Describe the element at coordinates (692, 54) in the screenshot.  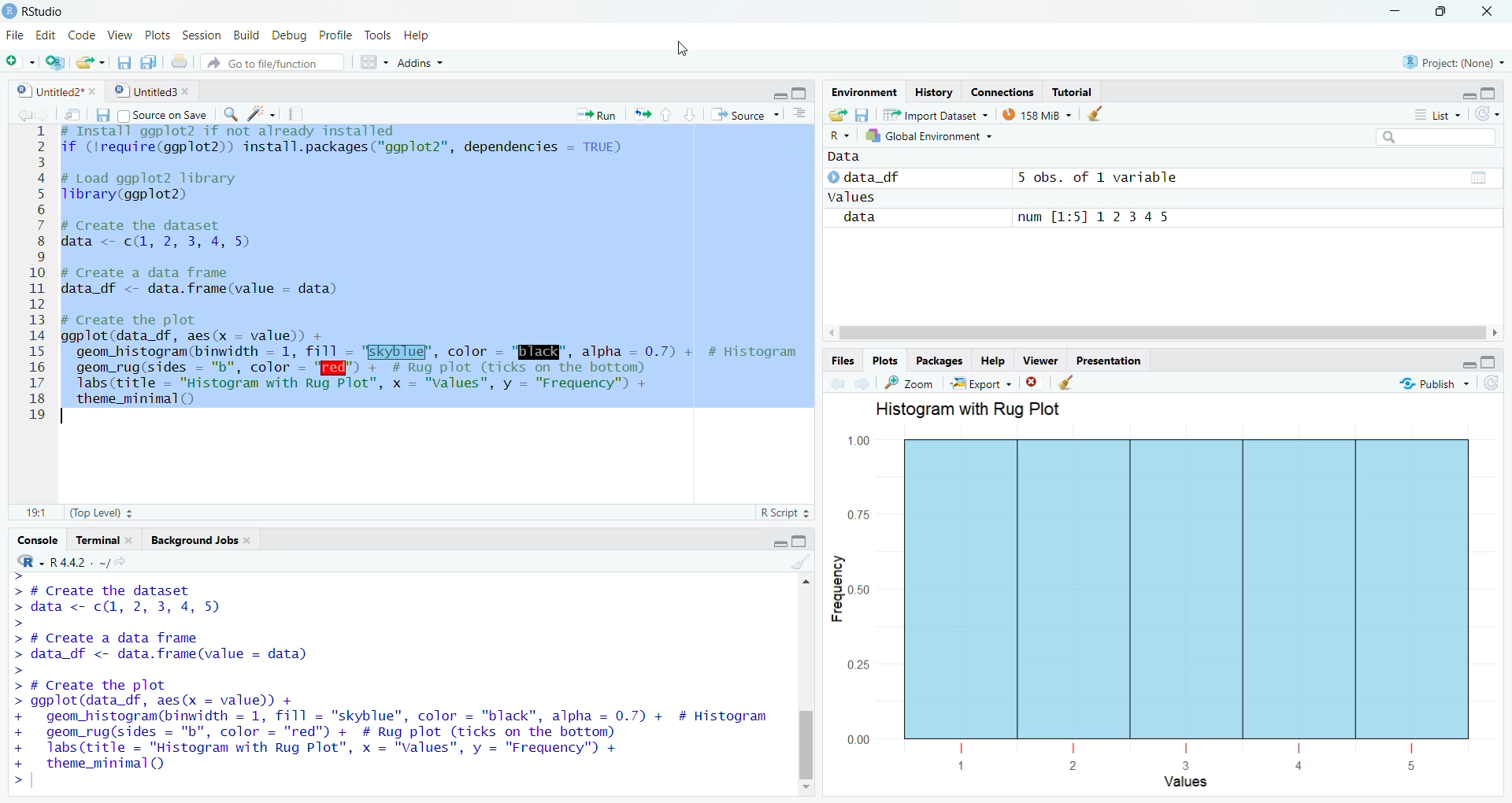
I see `cursor` at that location.